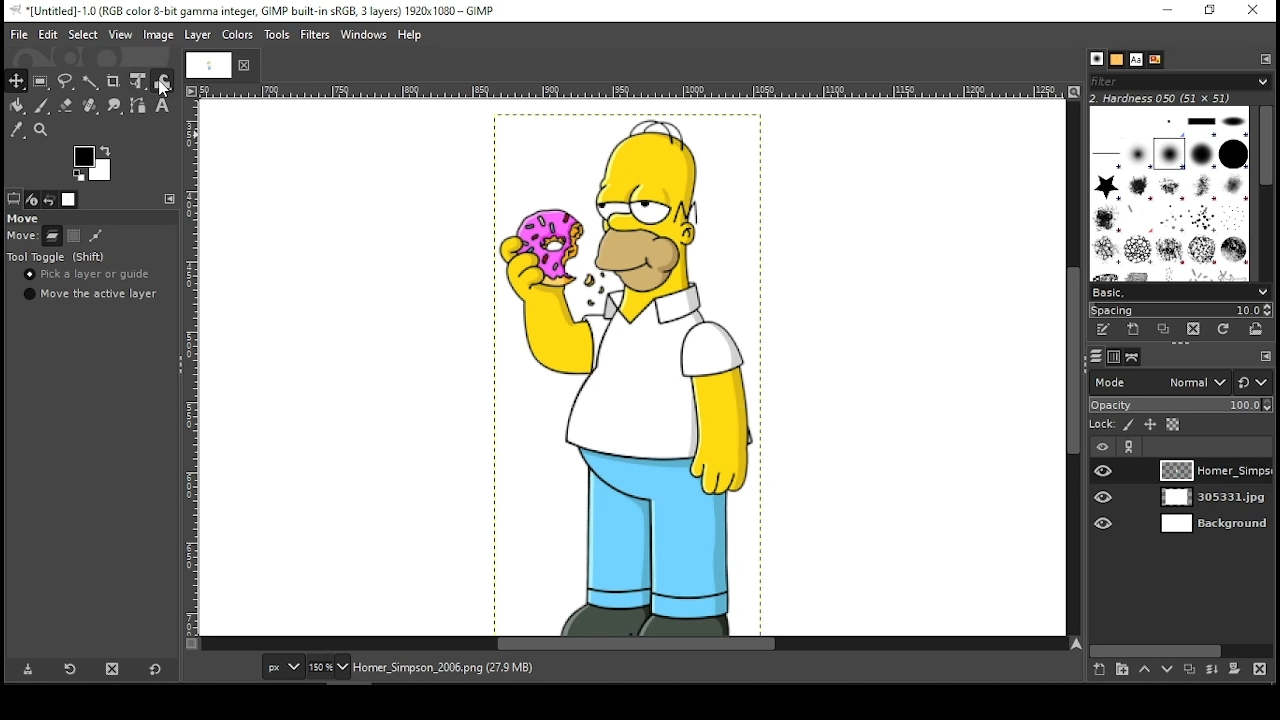 The height and width of the screenshot is (720, 1280). What do you see at coordinates (246, 65) in the screenshot?
I see `close` at bounding box center [246, 65].